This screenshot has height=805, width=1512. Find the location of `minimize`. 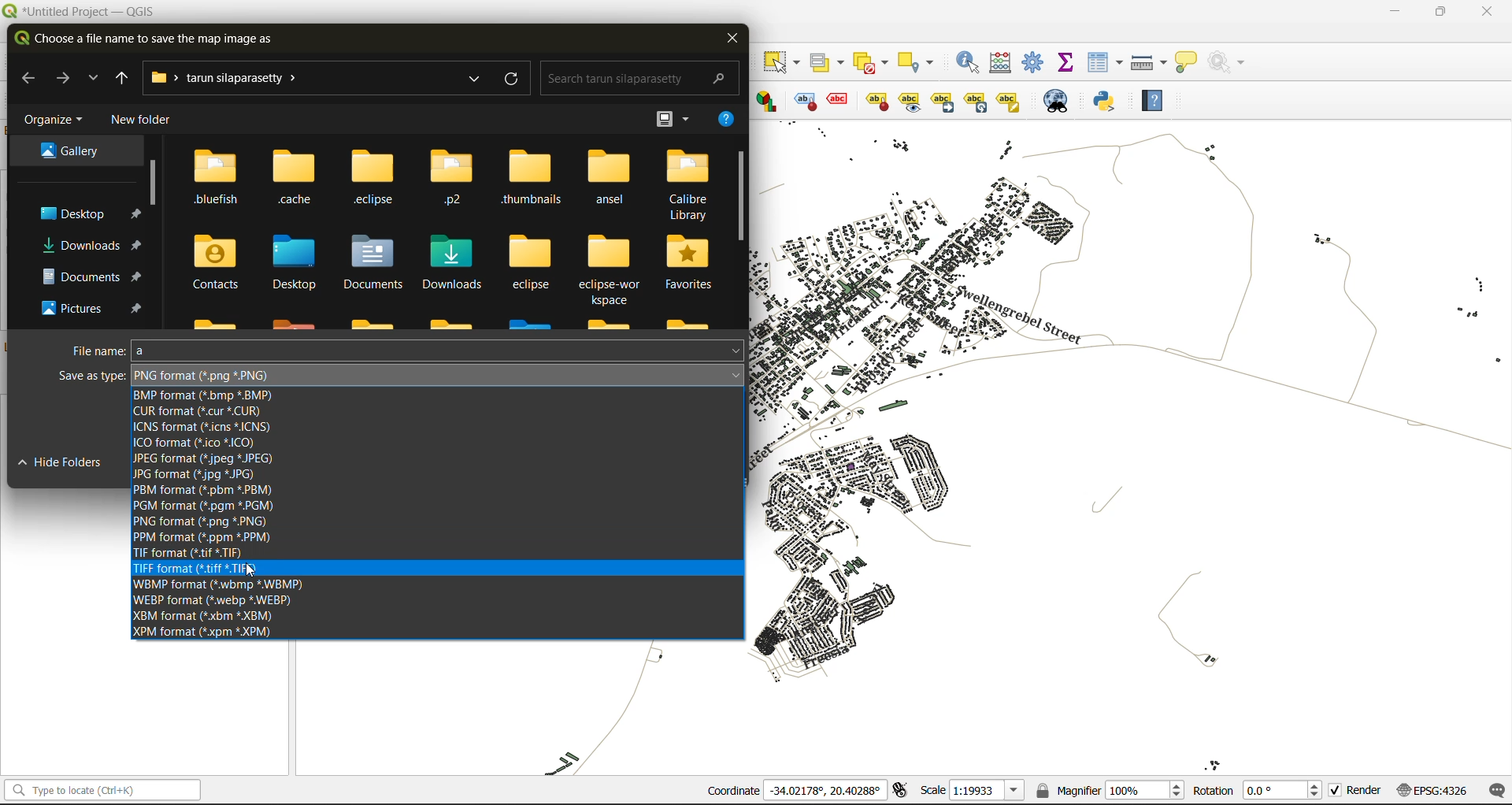

minimize is located at coordinates (1394, 12).